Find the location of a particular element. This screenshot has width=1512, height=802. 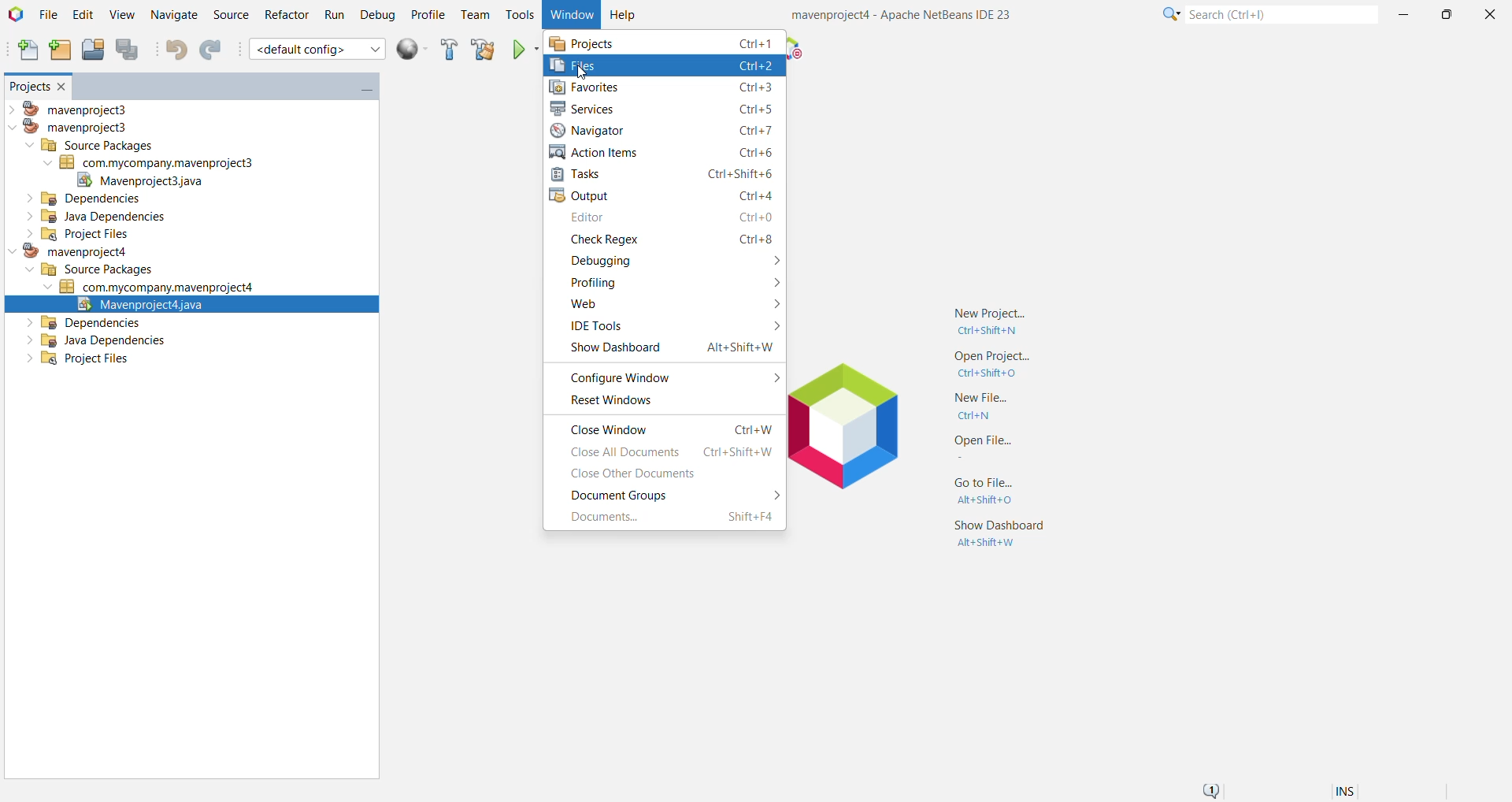

Services is located at coordinates (665, 108).